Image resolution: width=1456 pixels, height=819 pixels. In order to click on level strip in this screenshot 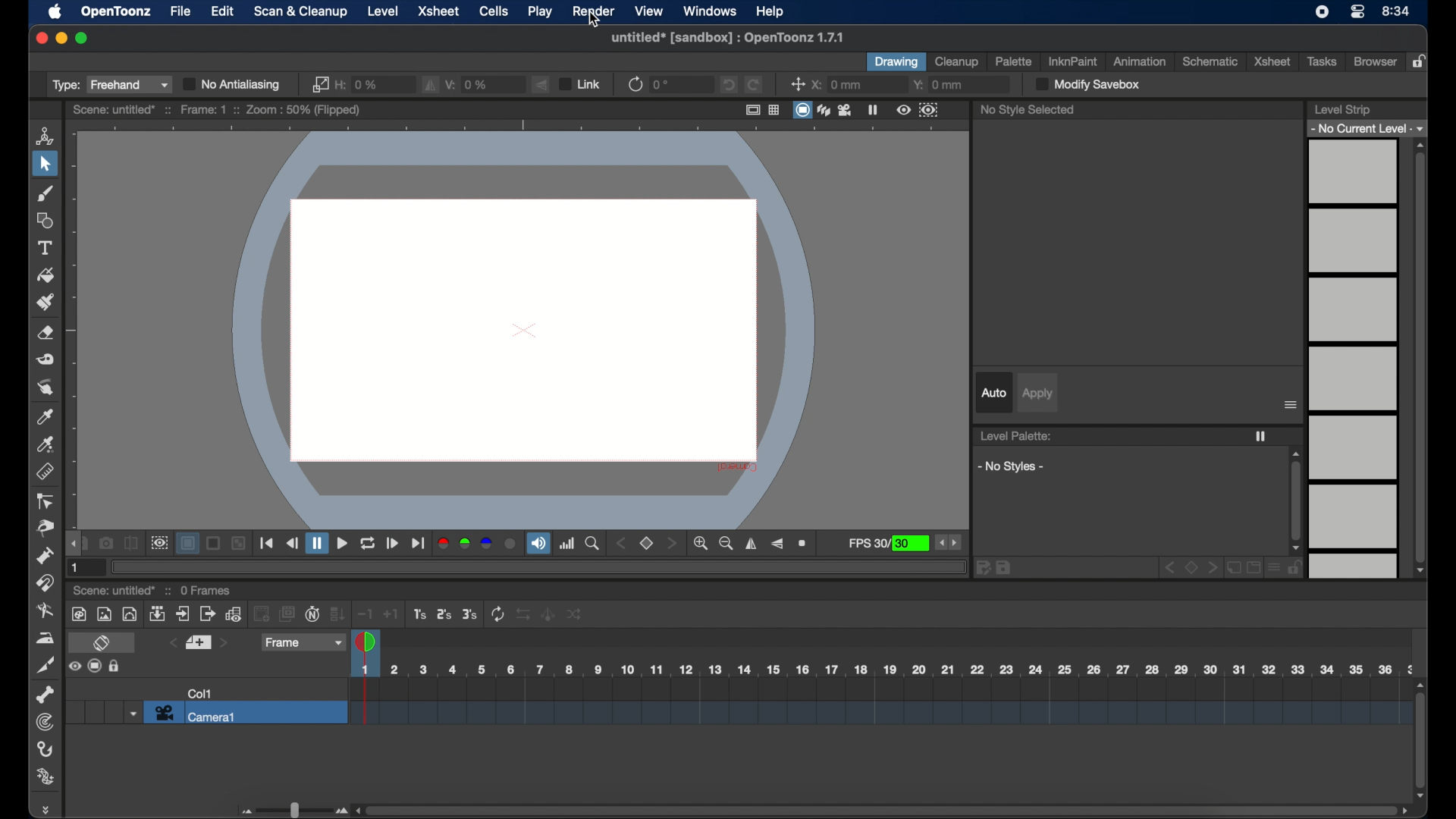, I will do `click(1341, 109)`.